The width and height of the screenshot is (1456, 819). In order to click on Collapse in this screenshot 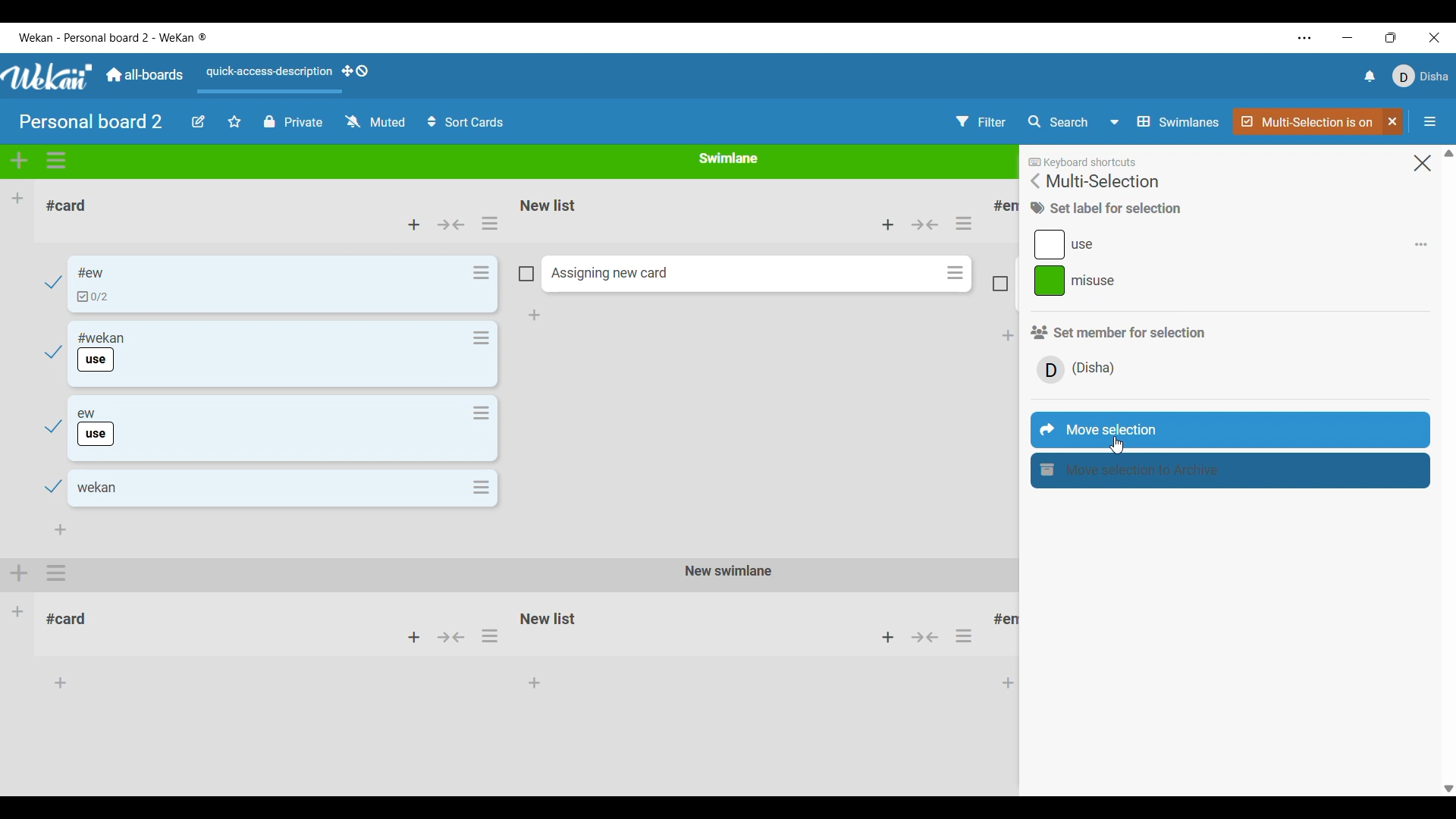, I will do `click(924, 224)`.